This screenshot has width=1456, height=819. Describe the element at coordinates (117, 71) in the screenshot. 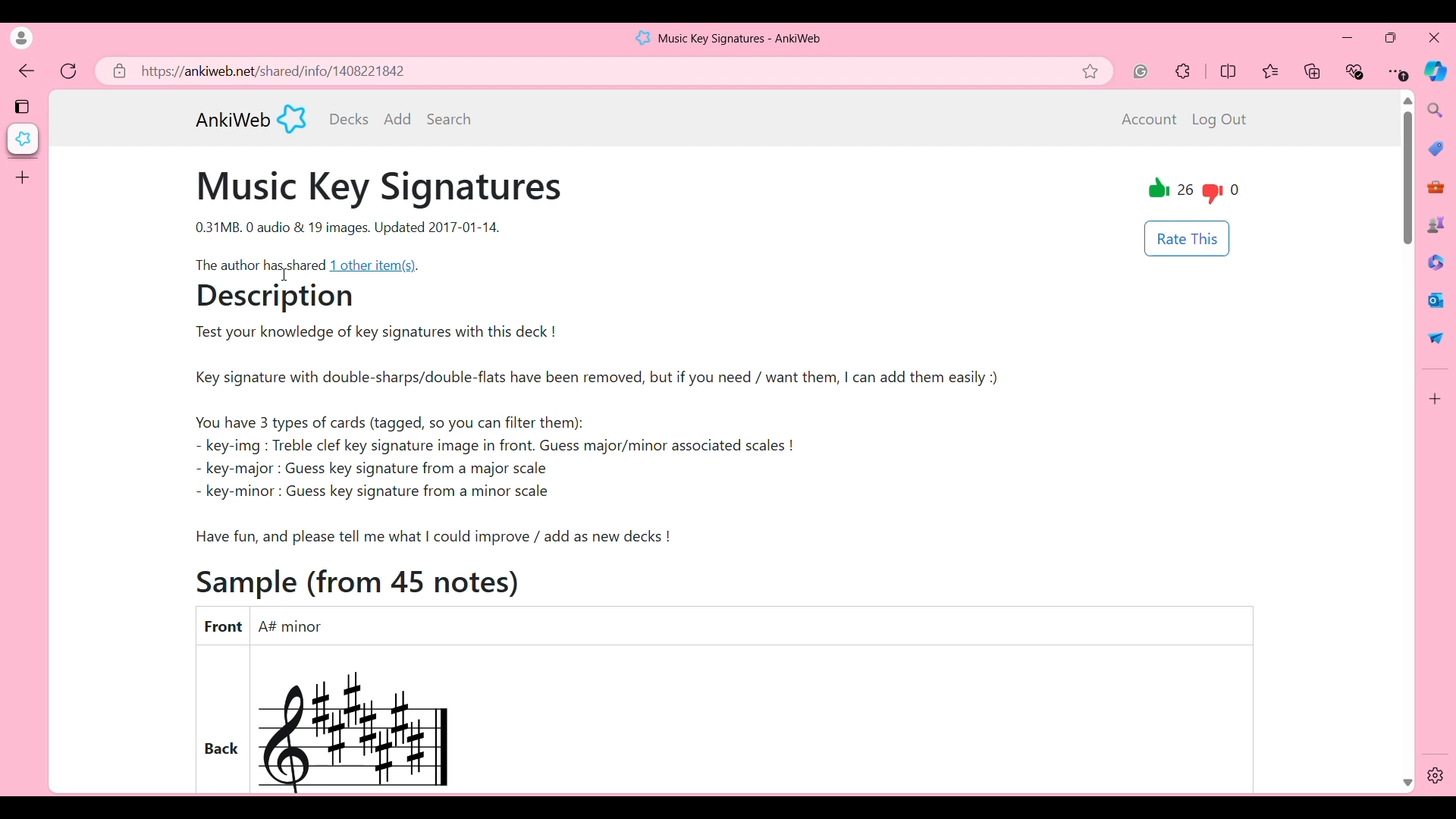

I see `Click to view site information` at that location.